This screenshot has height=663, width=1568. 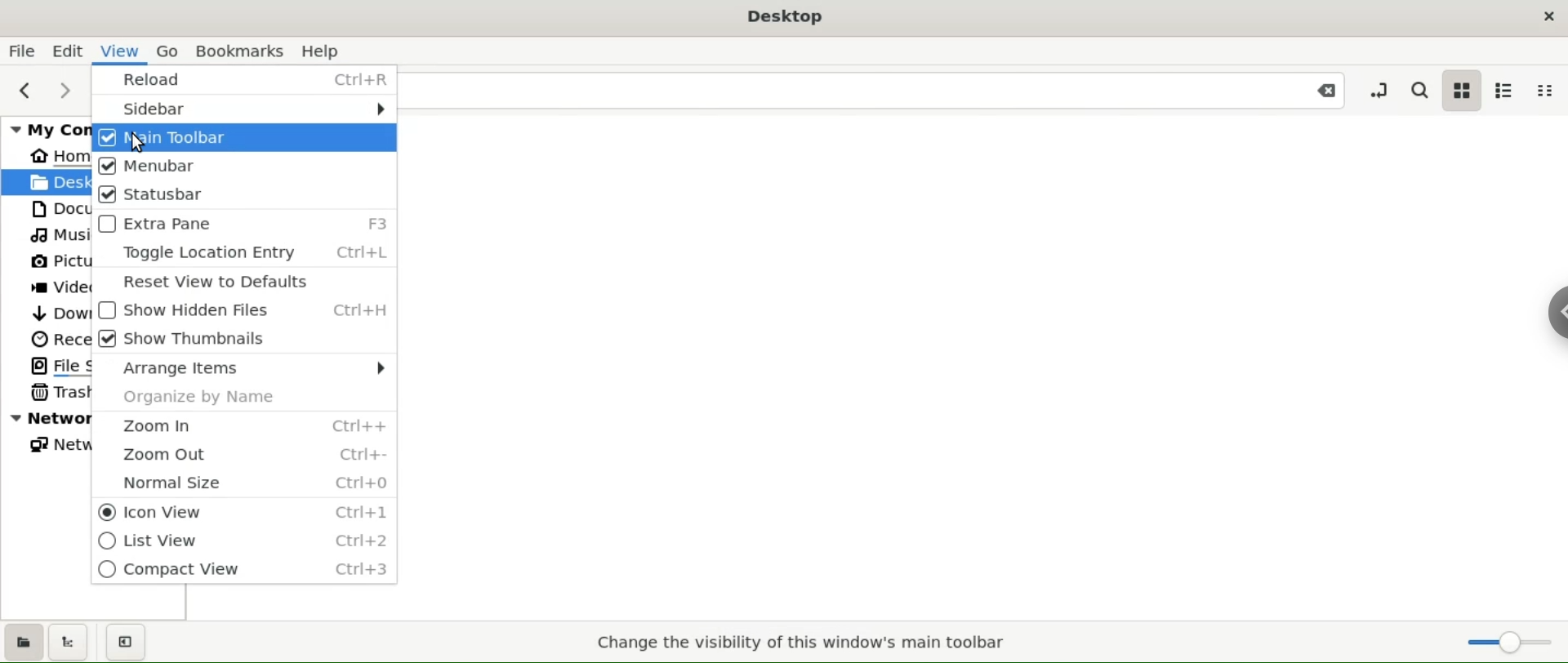 I want to click on next, so click(x=67, y=91).